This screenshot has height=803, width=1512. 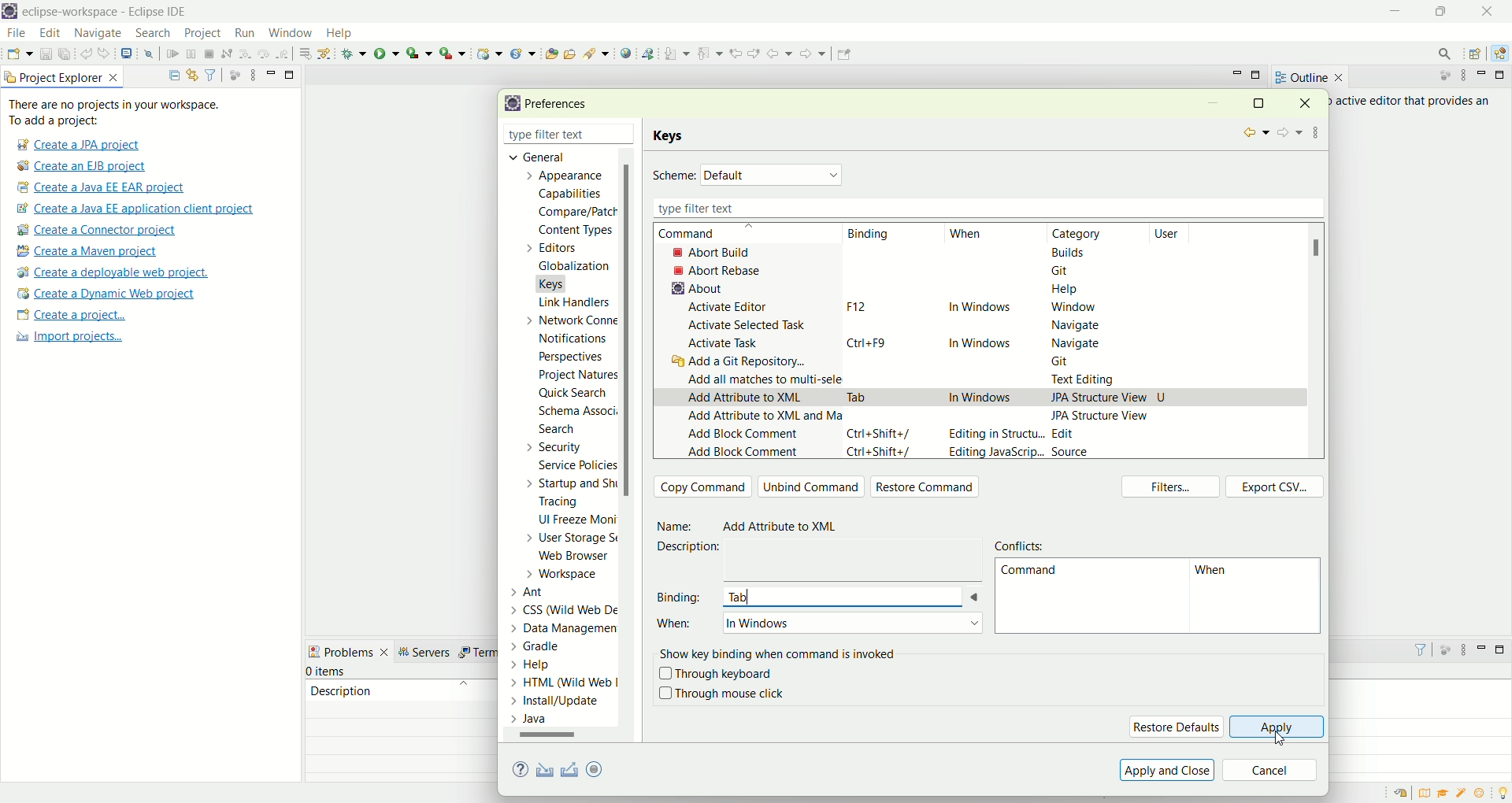 I want to click on activate editor, so click(x=731, y=307).